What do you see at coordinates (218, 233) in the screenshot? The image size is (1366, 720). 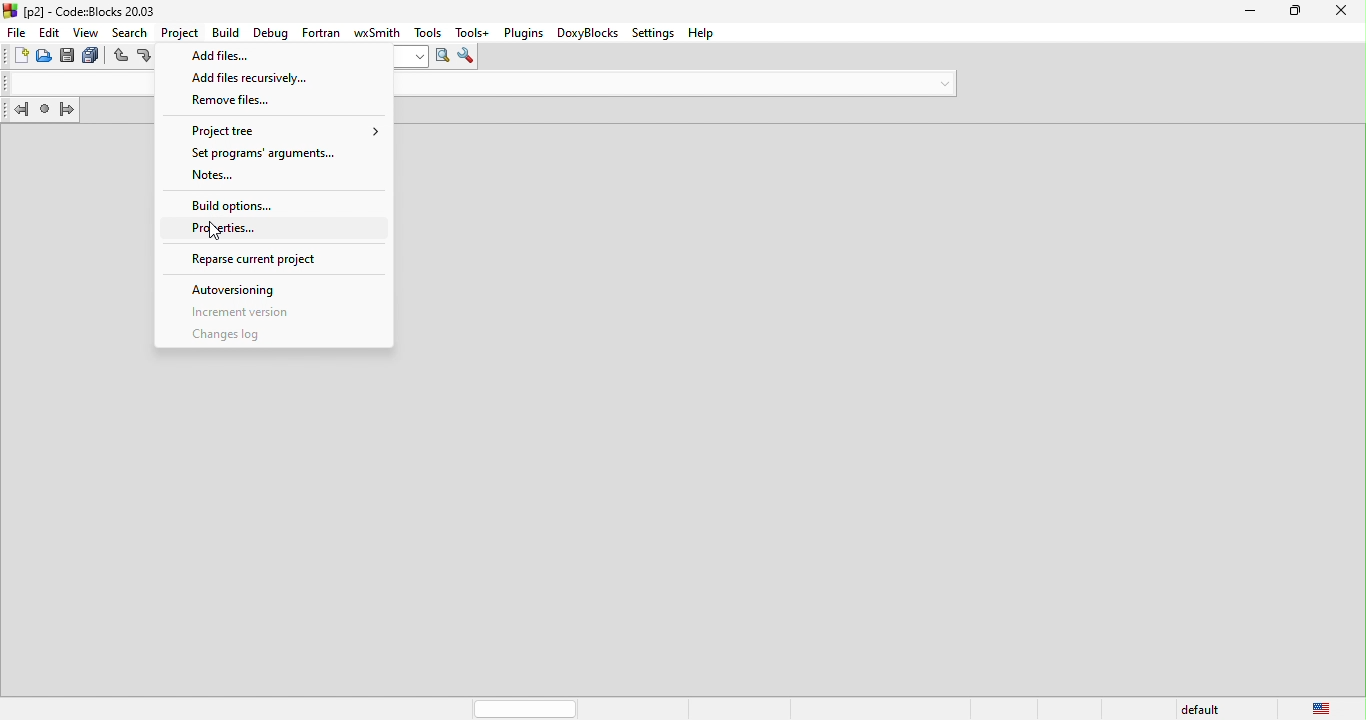 I see `cursor movement` at bounding box center [218, 233].